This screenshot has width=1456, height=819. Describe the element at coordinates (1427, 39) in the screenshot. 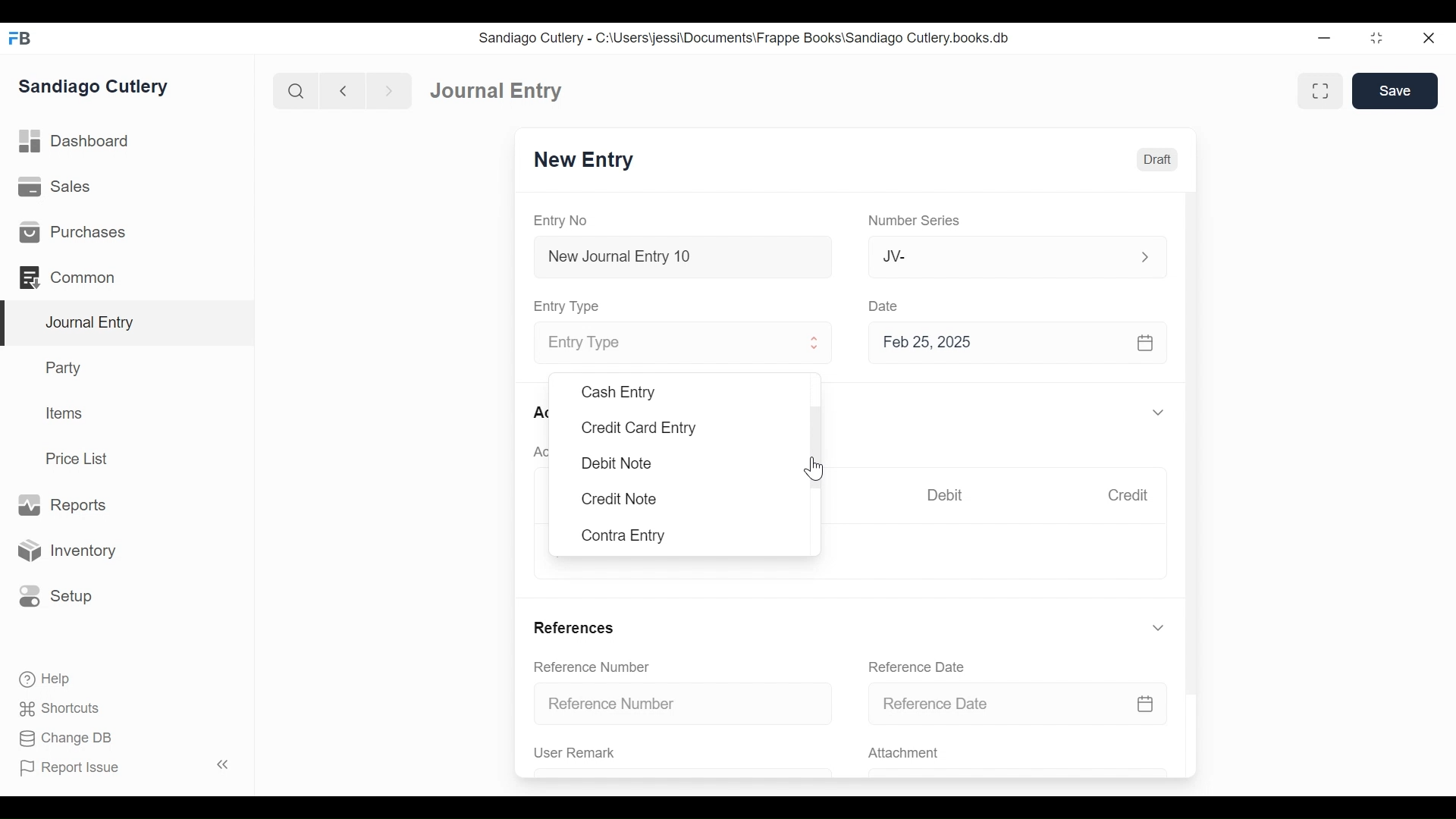

I see `Close` at that location.